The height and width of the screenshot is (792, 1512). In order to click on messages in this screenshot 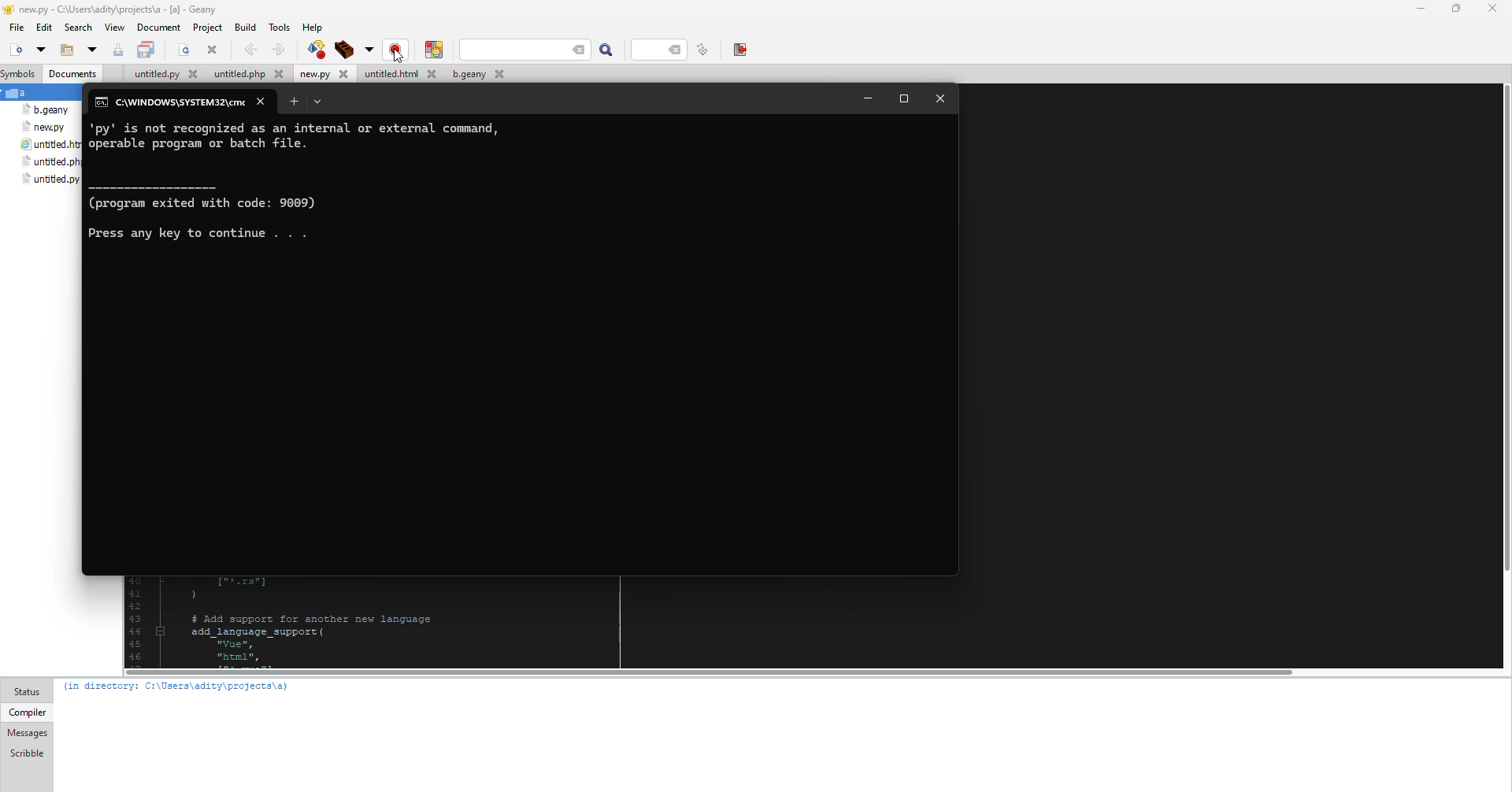, I will do `click(28, 734)`.